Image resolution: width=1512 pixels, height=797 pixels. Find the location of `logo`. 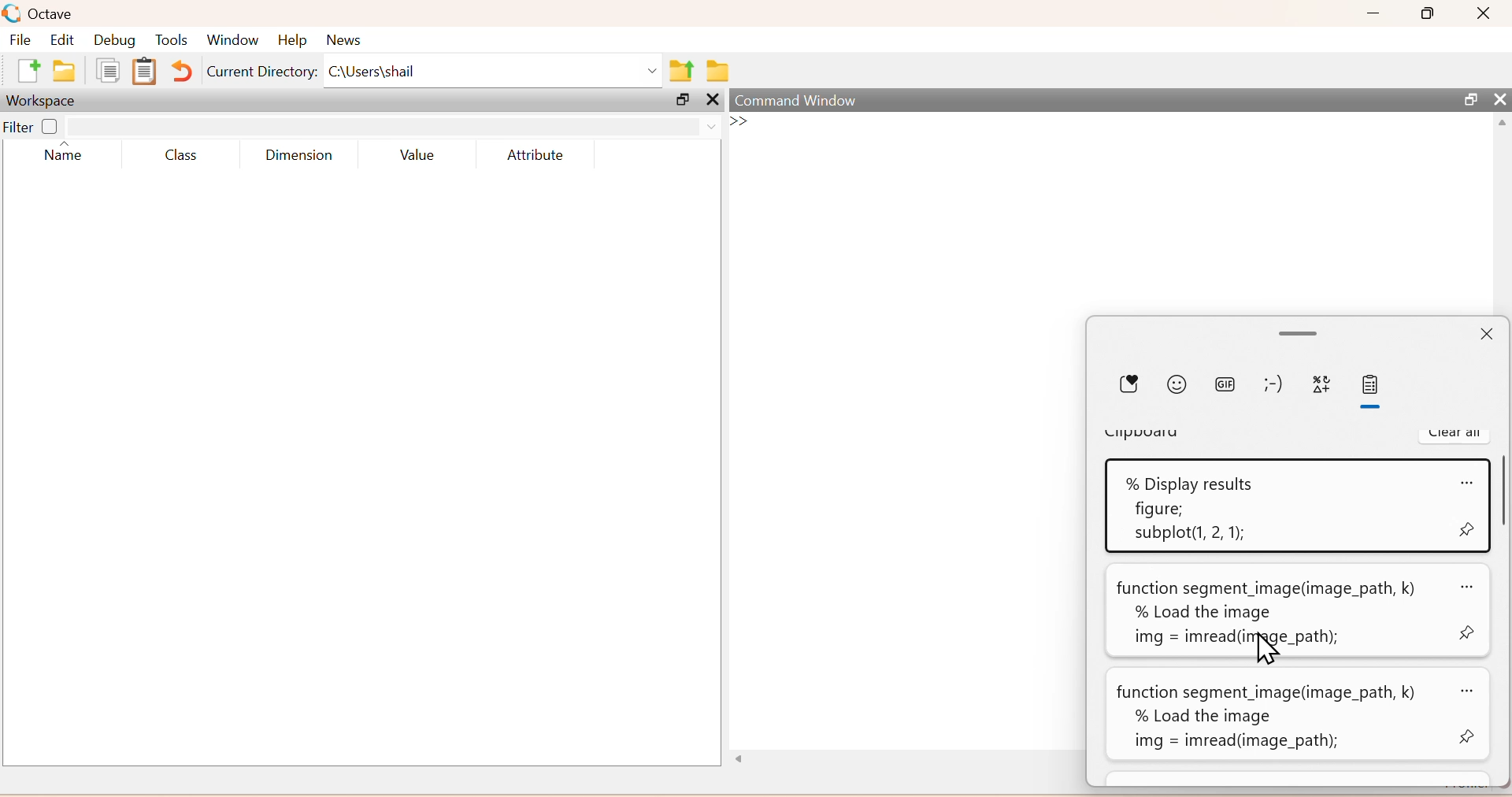

logo is located at coordinates (13, 13).